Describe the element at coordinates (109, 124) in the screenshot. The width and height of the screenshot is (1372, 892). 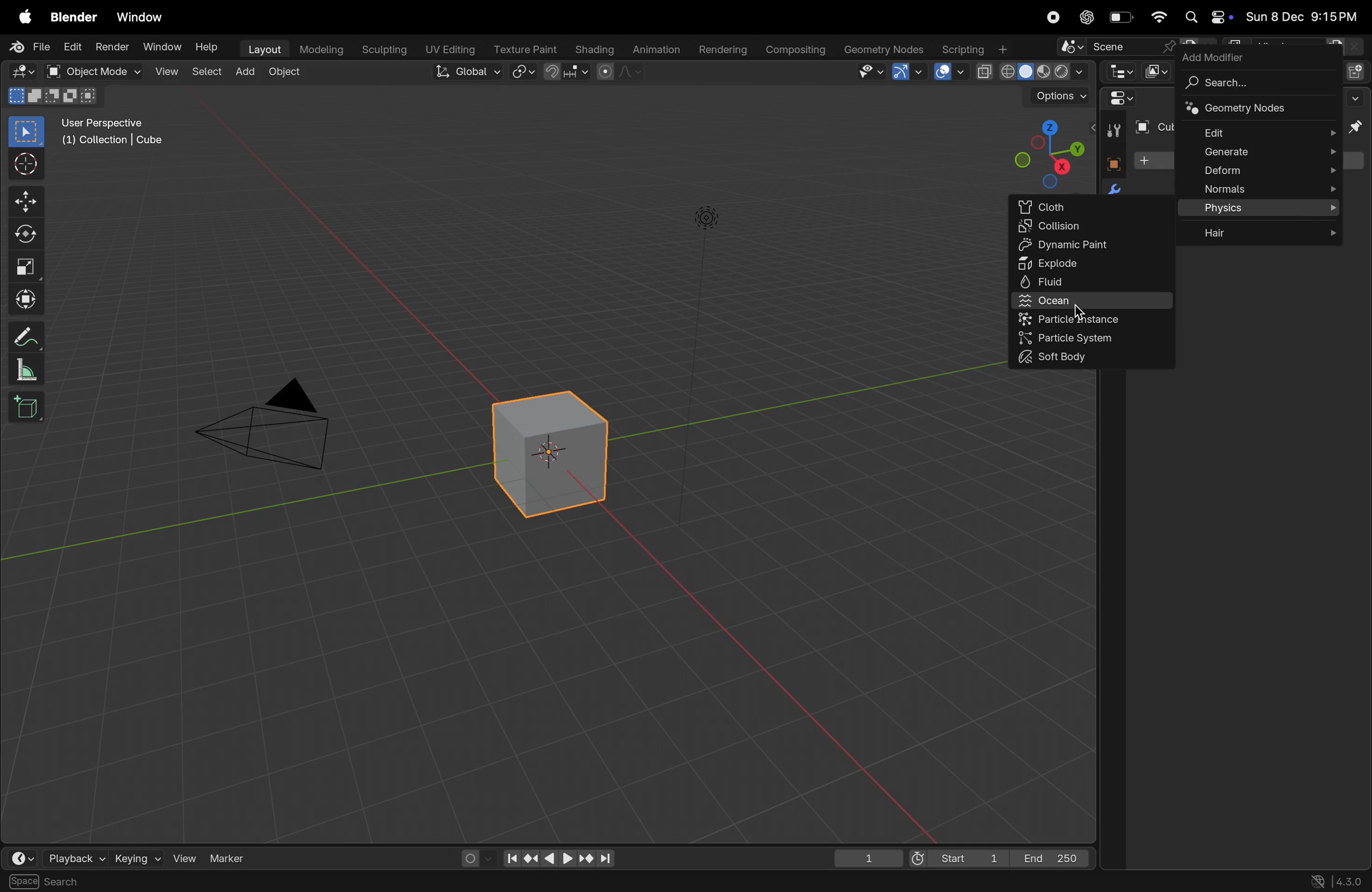
I see `use erception` at that location.